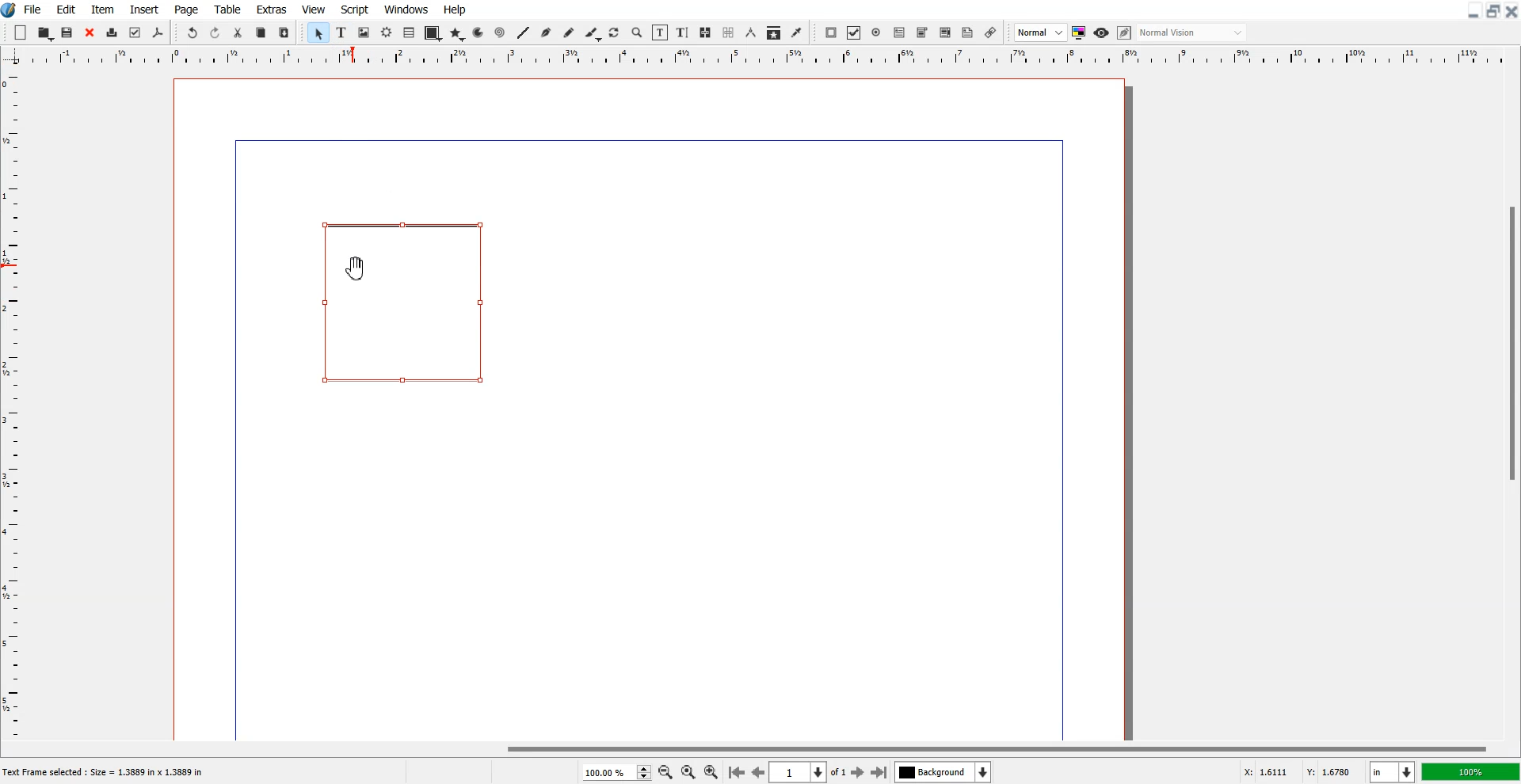 The width and height of the screenshot is (1521, 784). I want to click on X, Y Co-ordinate, so click(1298, 773).